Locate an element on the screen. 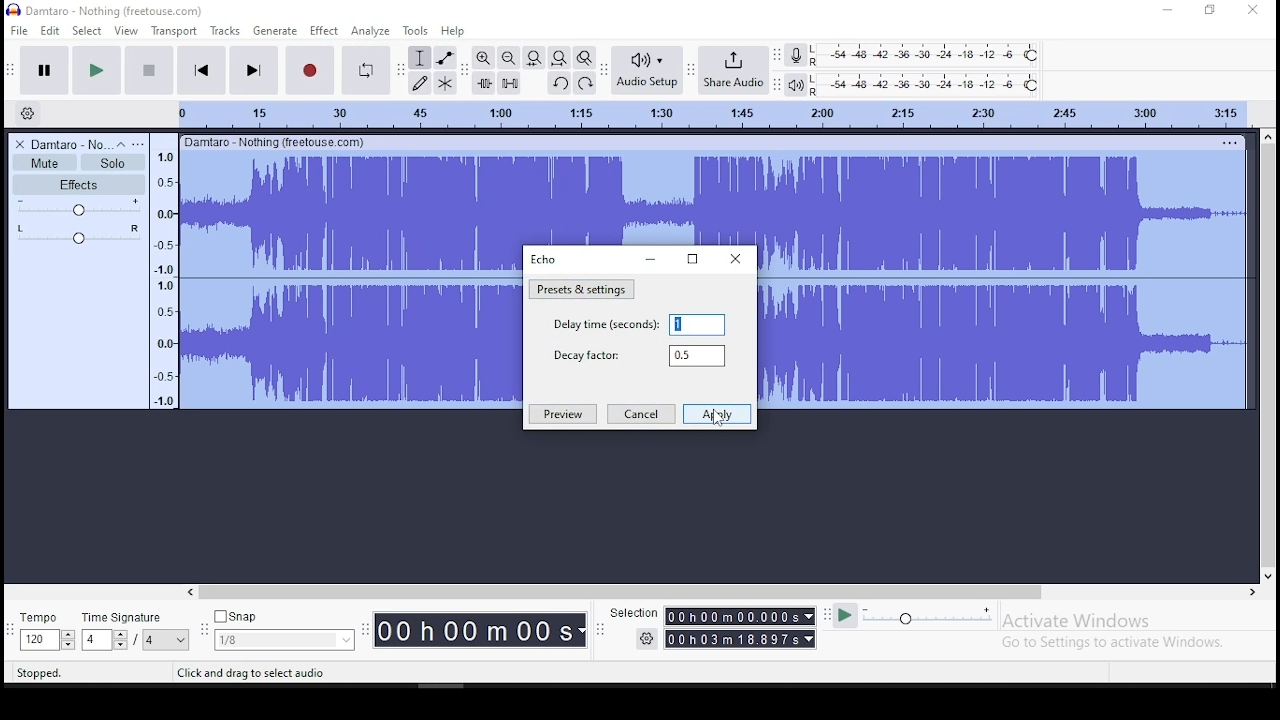 The height and width of the screenshot is (720, 1280). Click and drag to select audio is located at coordinates (259, 673).